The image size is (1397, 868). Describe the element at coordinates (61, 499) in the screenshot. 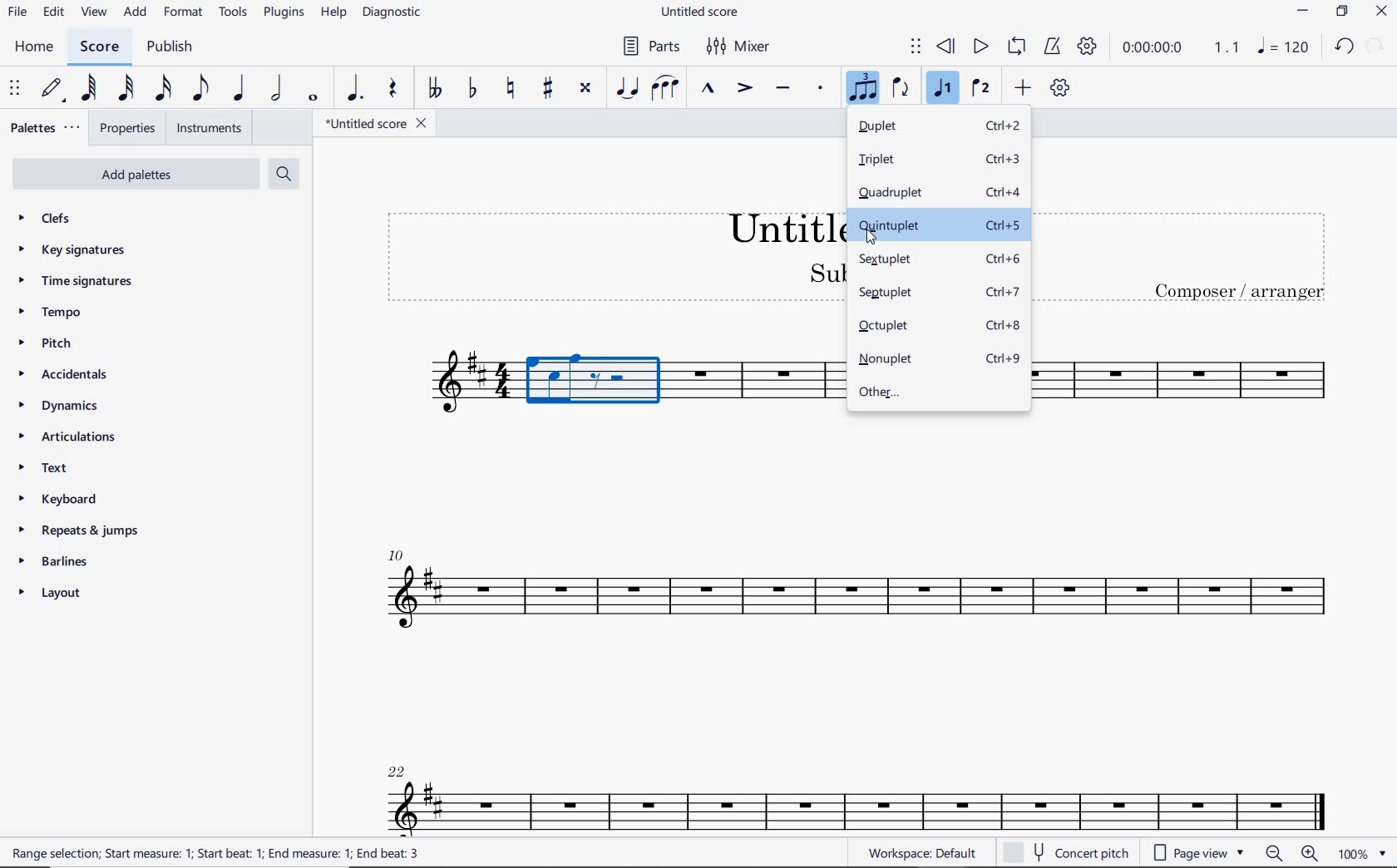

I see `KEYBOARD` at that location.